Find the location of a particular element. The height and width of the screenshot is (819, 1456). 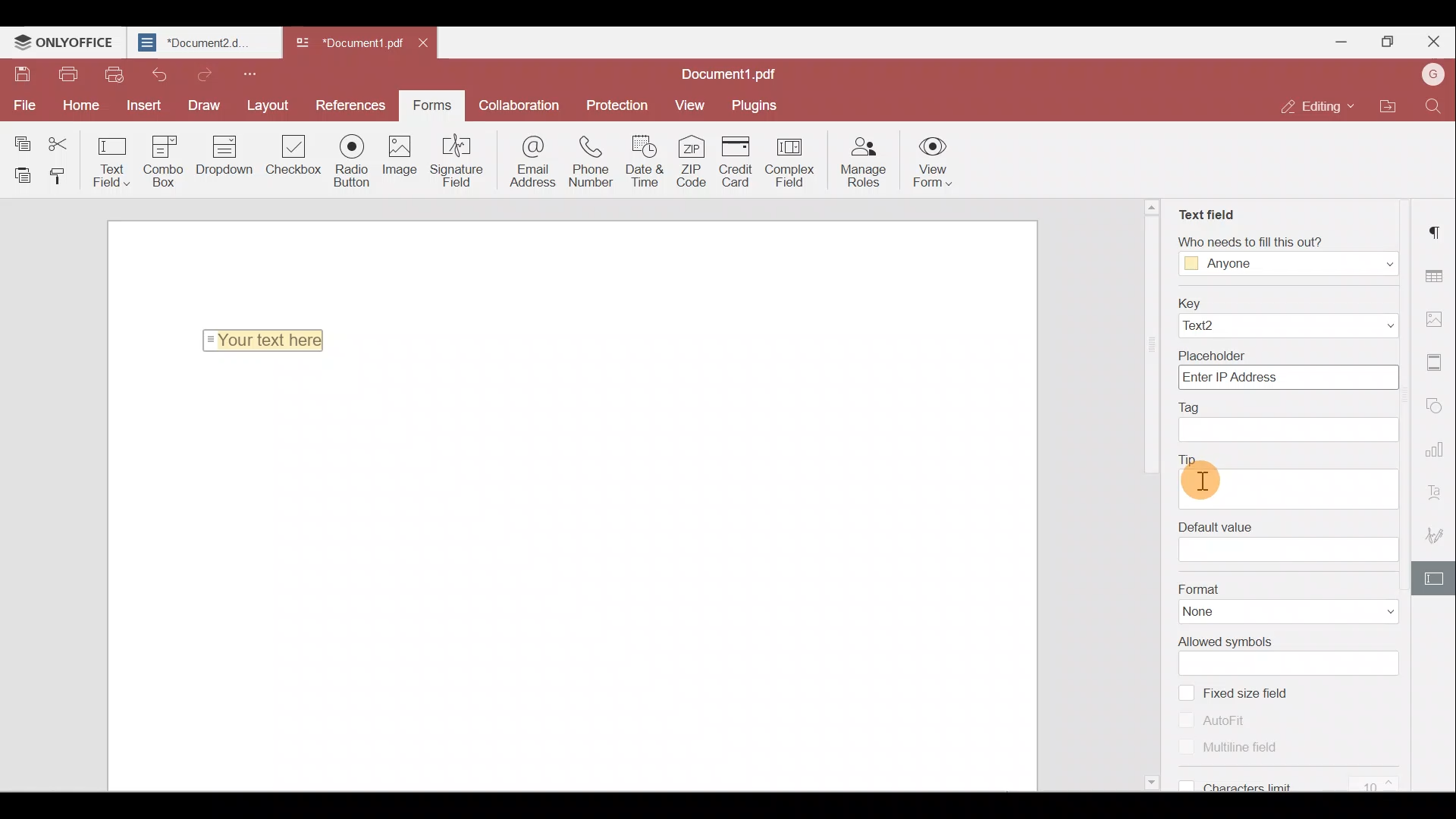

Paste is located at coordinates (19, 174).